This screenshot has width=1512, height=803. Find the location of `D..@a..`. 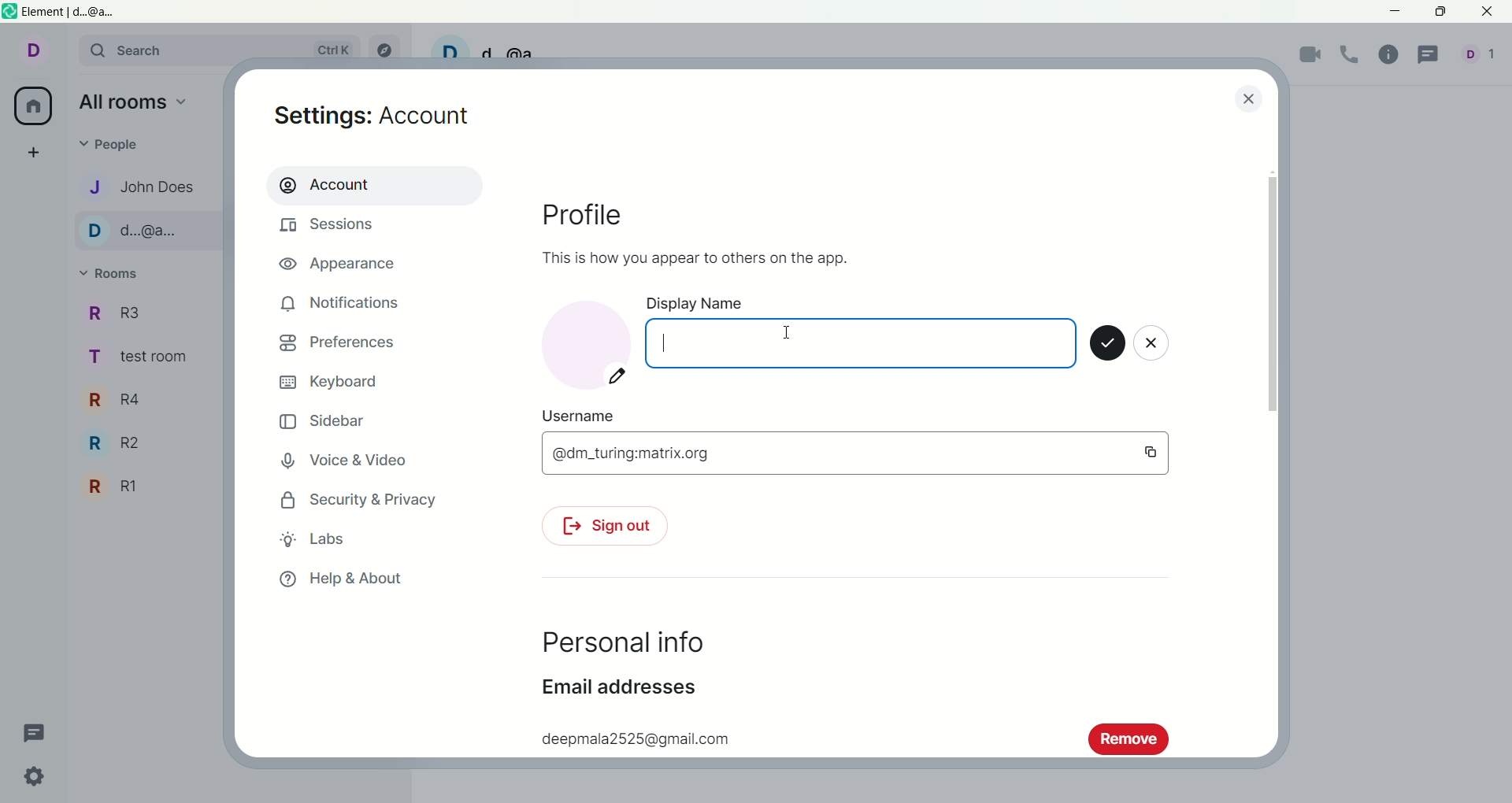

D..@a.. is located at coordinates (140, 232).